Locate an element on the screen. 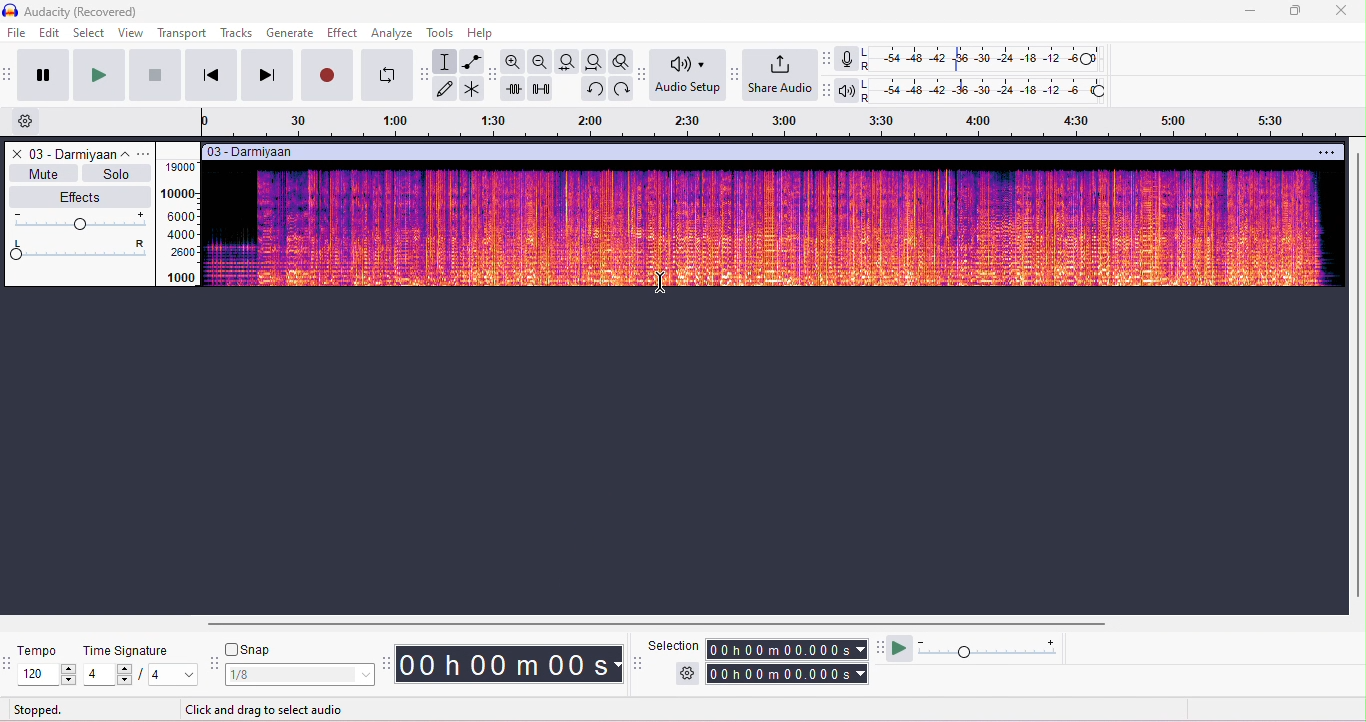  snap tool bar is located at coordinates (217, 664).